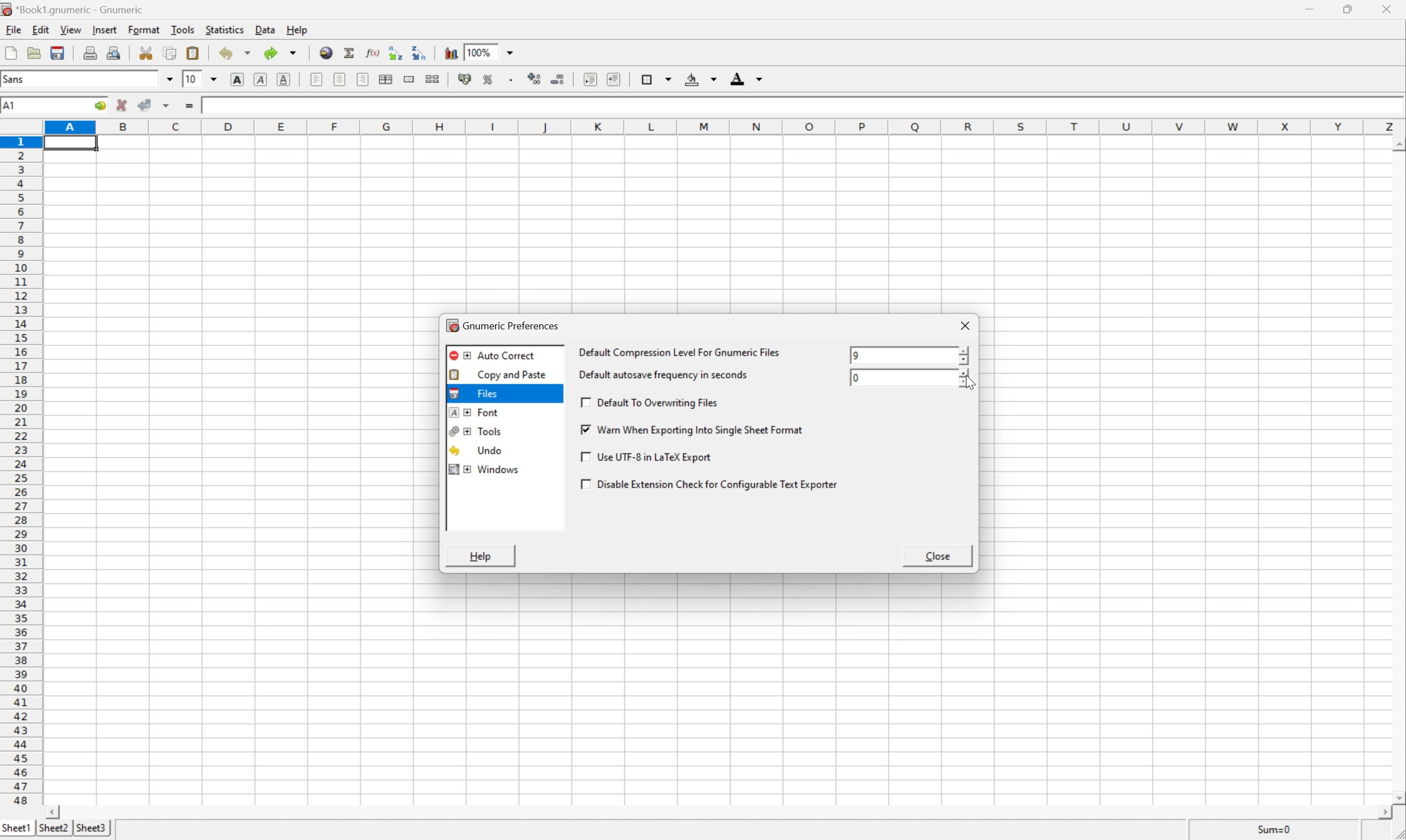 The width and height of the screenshot is (1406, 840). I want to click on new, so click(11, 53).